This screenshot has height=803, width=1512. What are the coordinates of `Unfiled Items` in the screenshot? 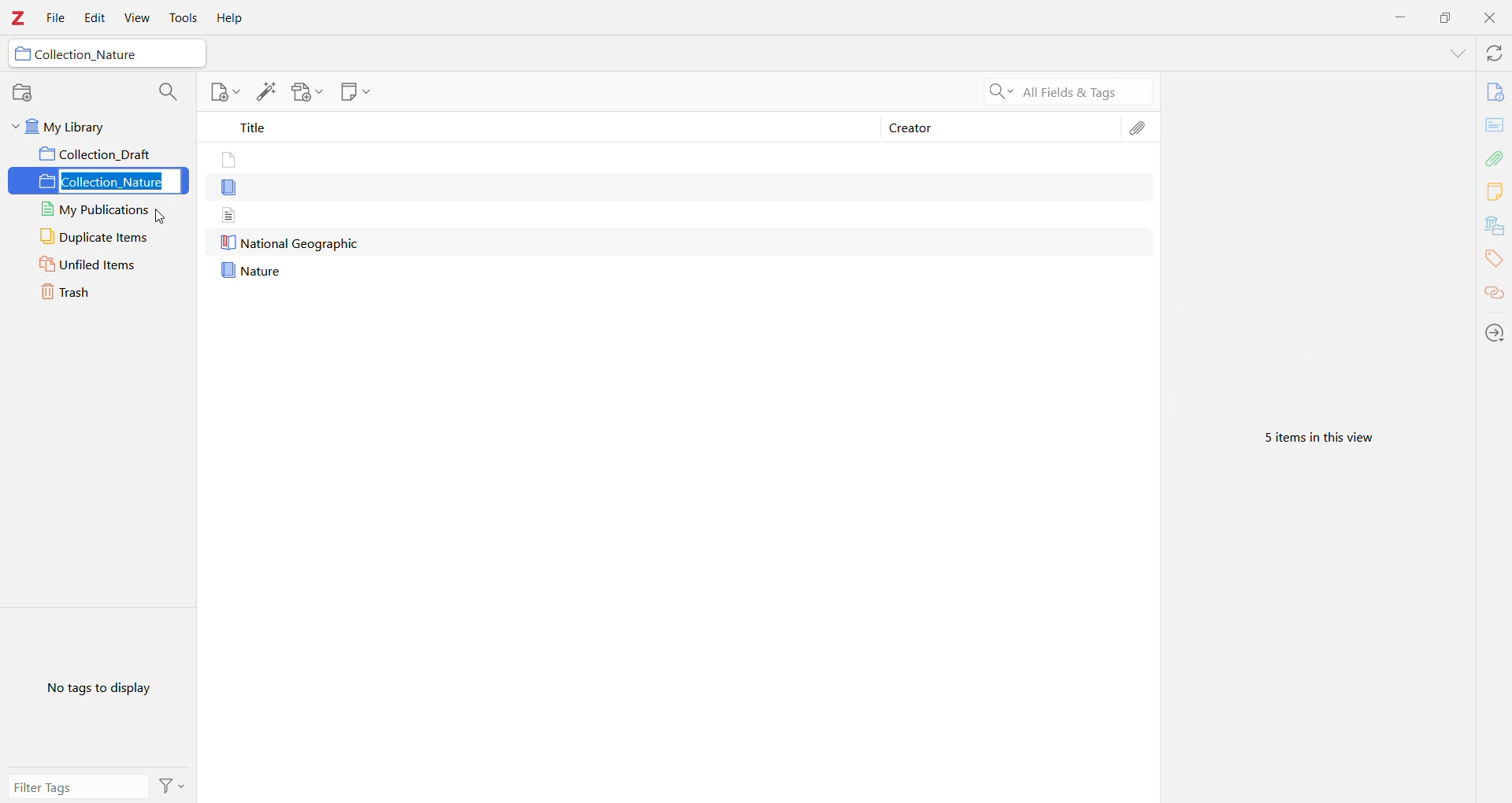 It's located at (100, 265).